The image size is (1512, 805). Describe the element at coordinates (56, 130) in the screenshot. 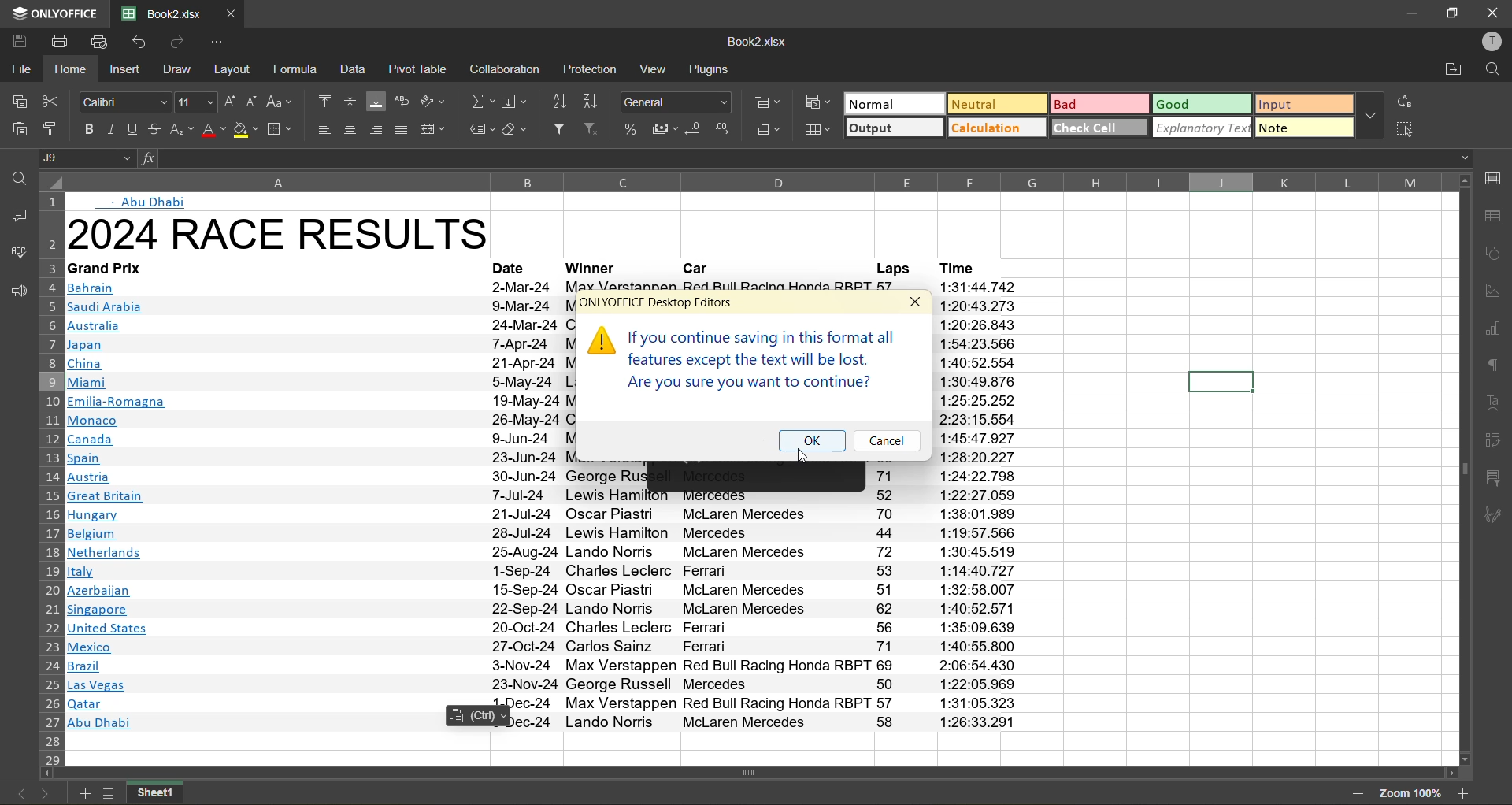

I see `copy style` at that location.